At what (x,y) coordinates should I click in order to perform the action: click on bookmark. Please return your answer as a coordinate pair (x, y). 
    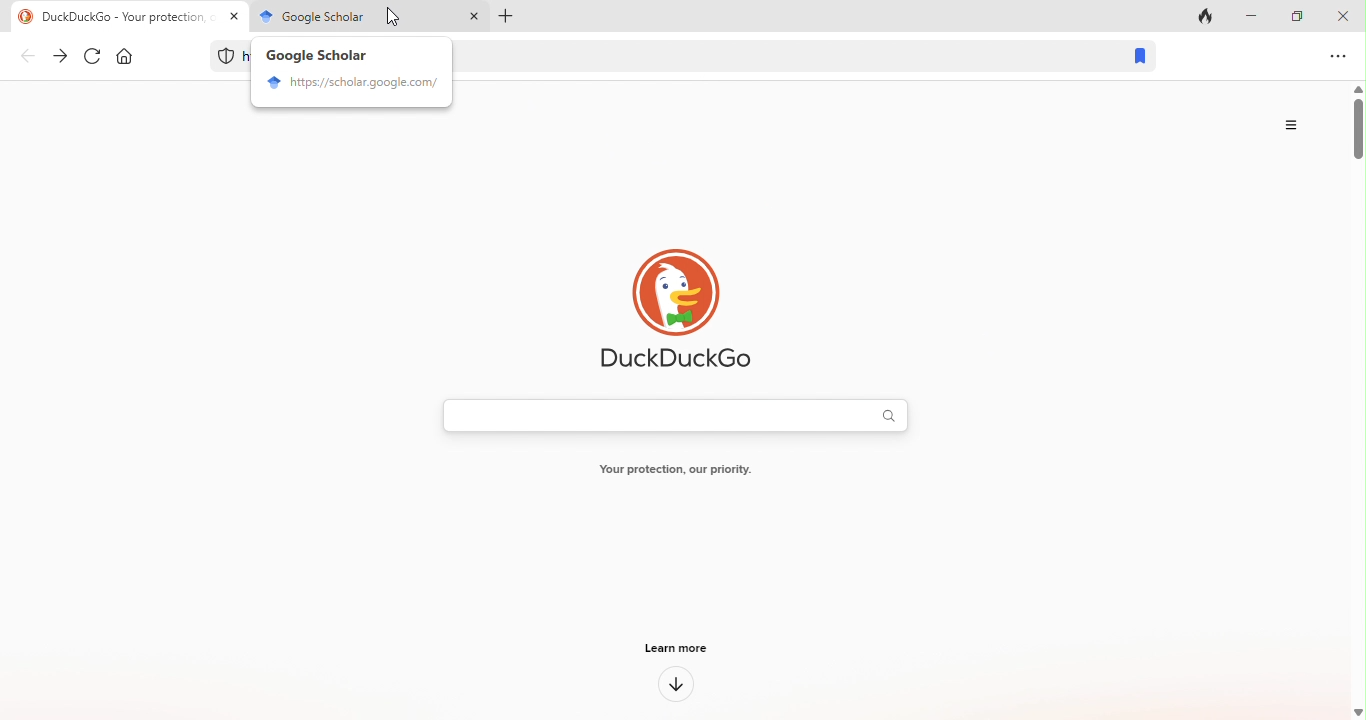
    Looking at the image, I should click on (1134, 57).